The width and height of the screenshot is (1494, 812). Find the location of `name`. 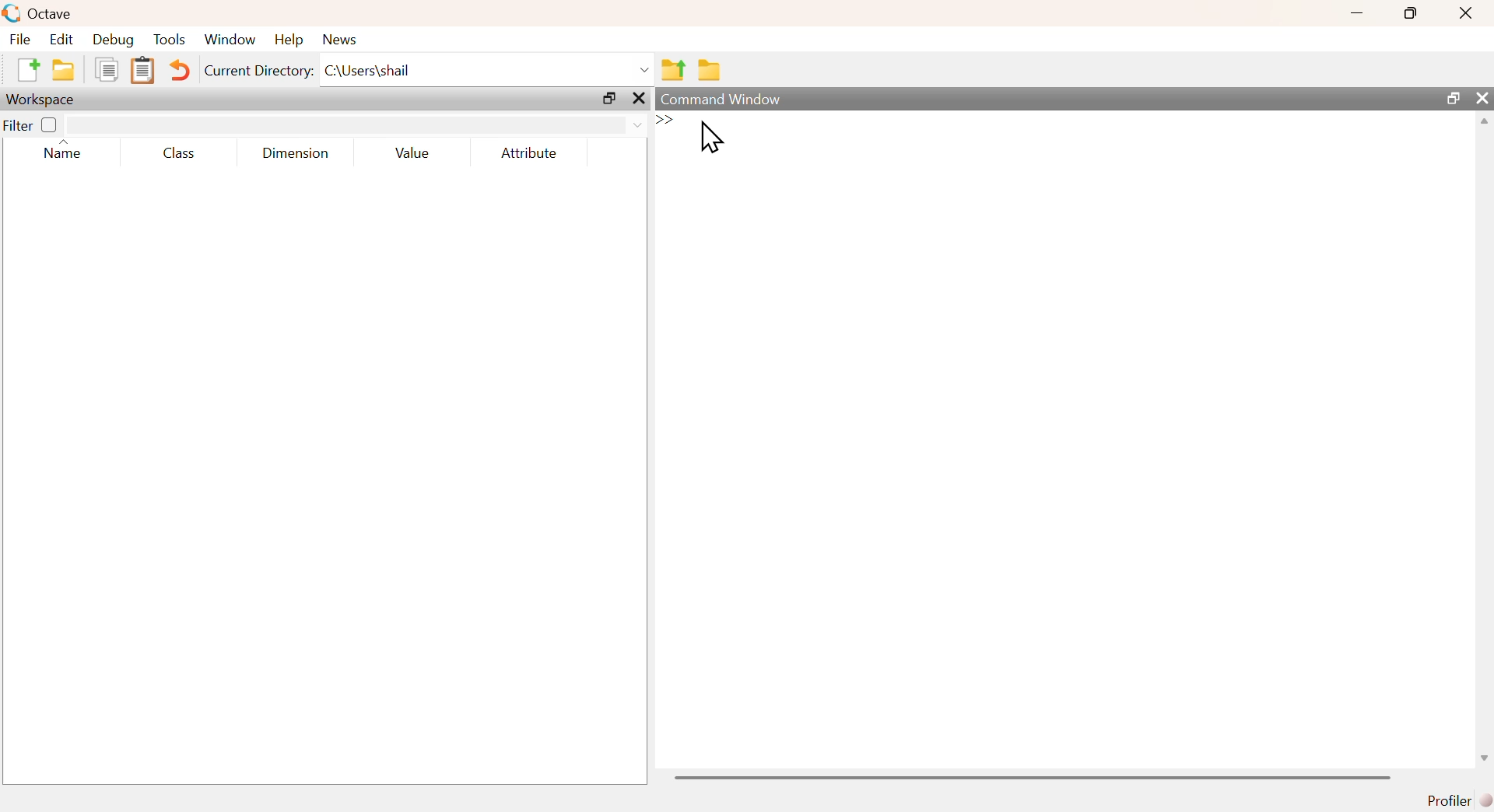

name is located at coordinates (64, 156).